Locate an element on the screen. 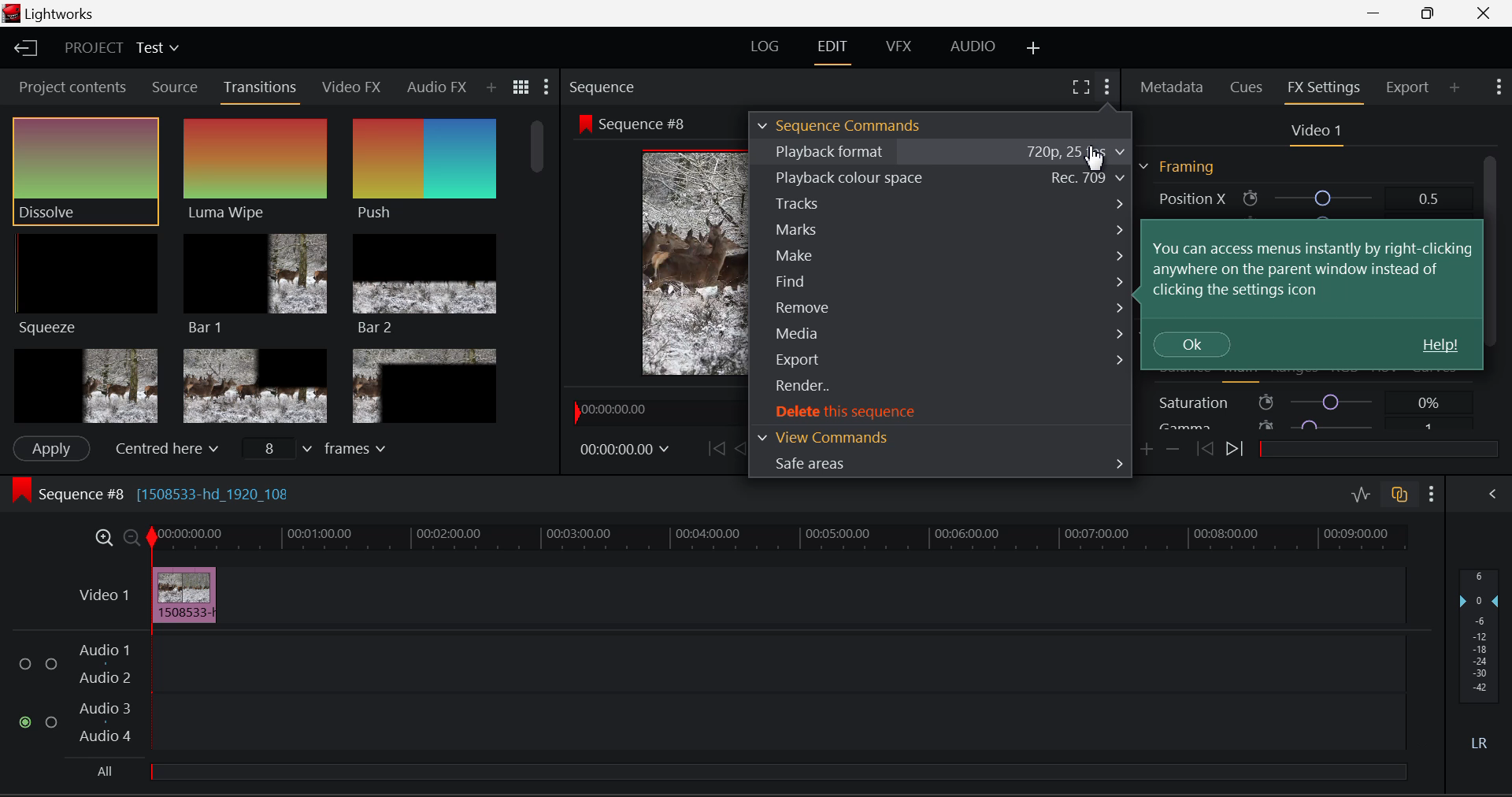 Image resolution: width=1512 pixels, height=797 pixels. Push is located at coordinates (422, 170).